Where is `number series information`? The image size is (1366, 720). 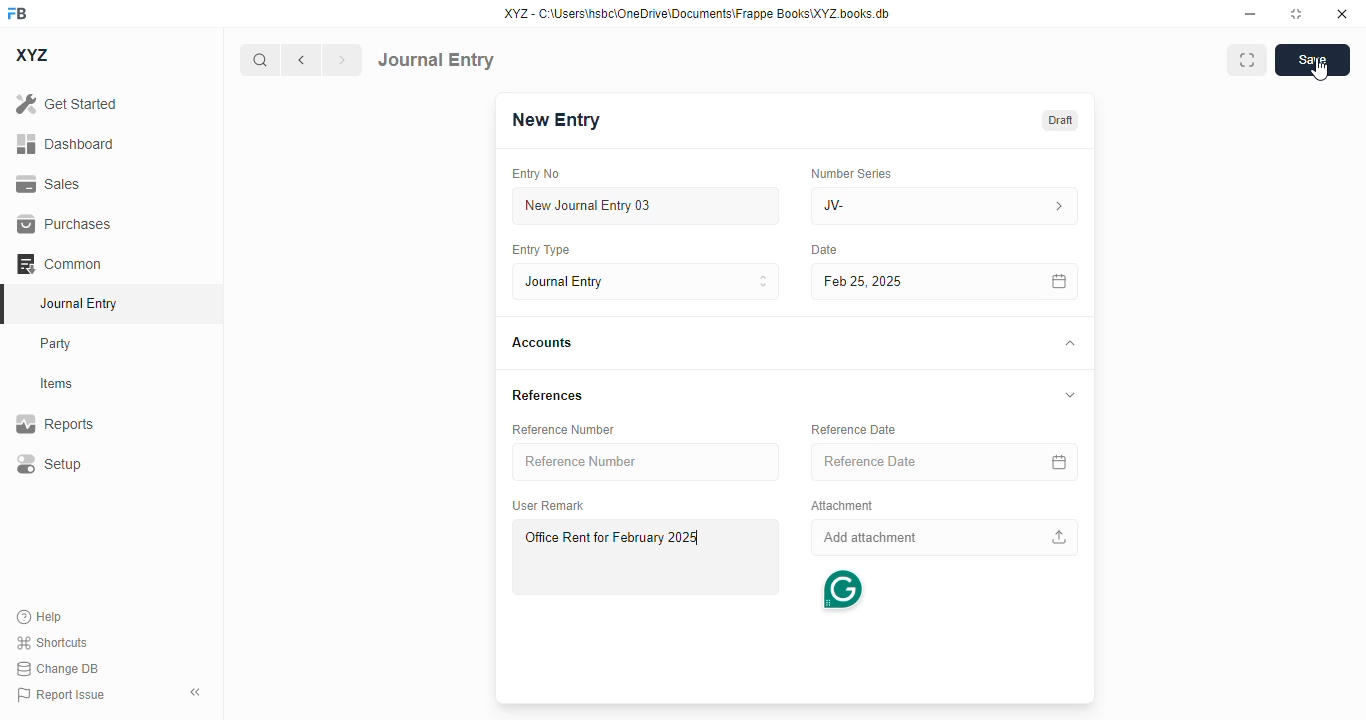
number series information is located at coordinates (1062, 207).